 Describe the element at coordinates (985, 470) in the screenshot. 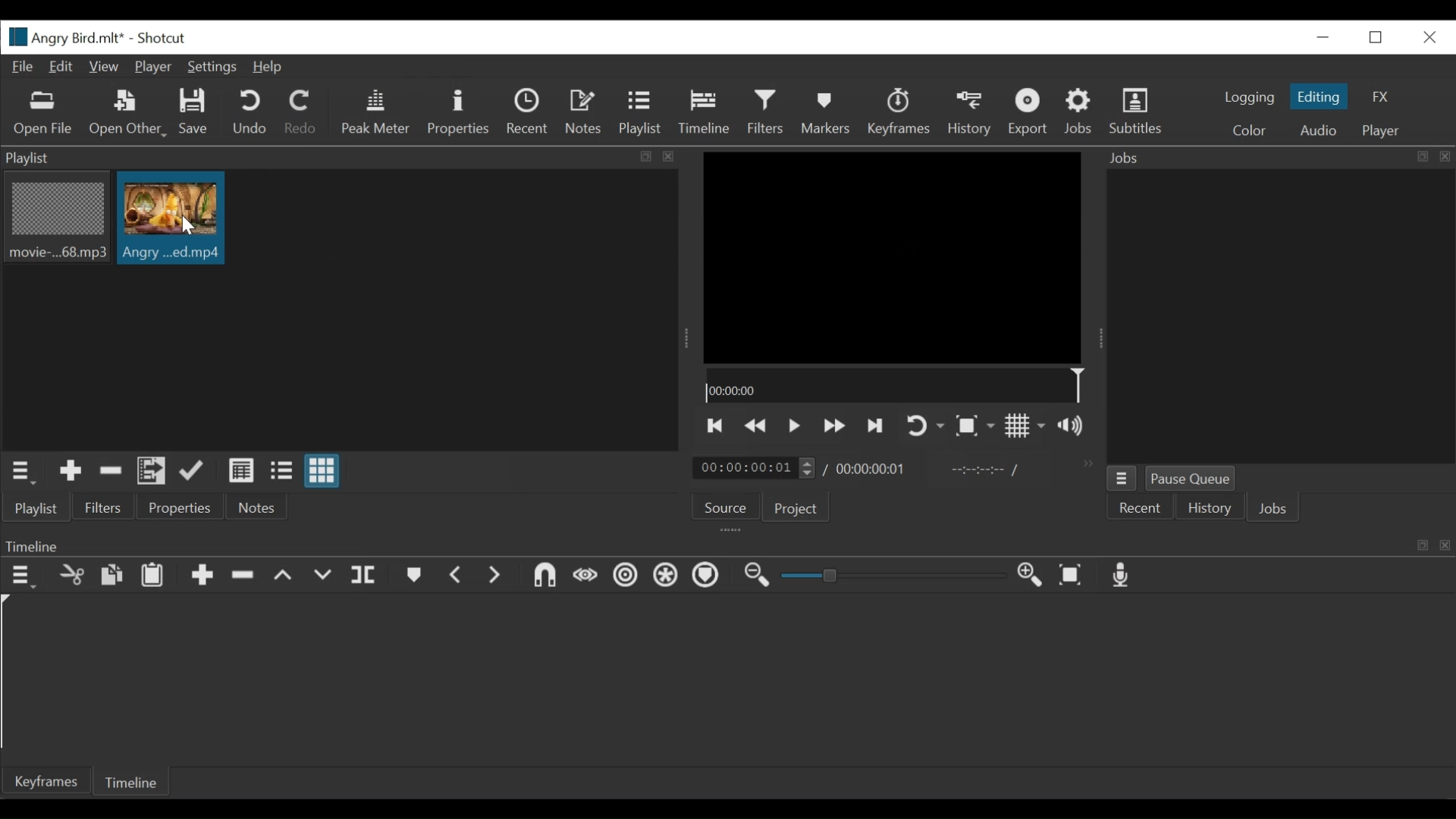

I see `In point` at that location.